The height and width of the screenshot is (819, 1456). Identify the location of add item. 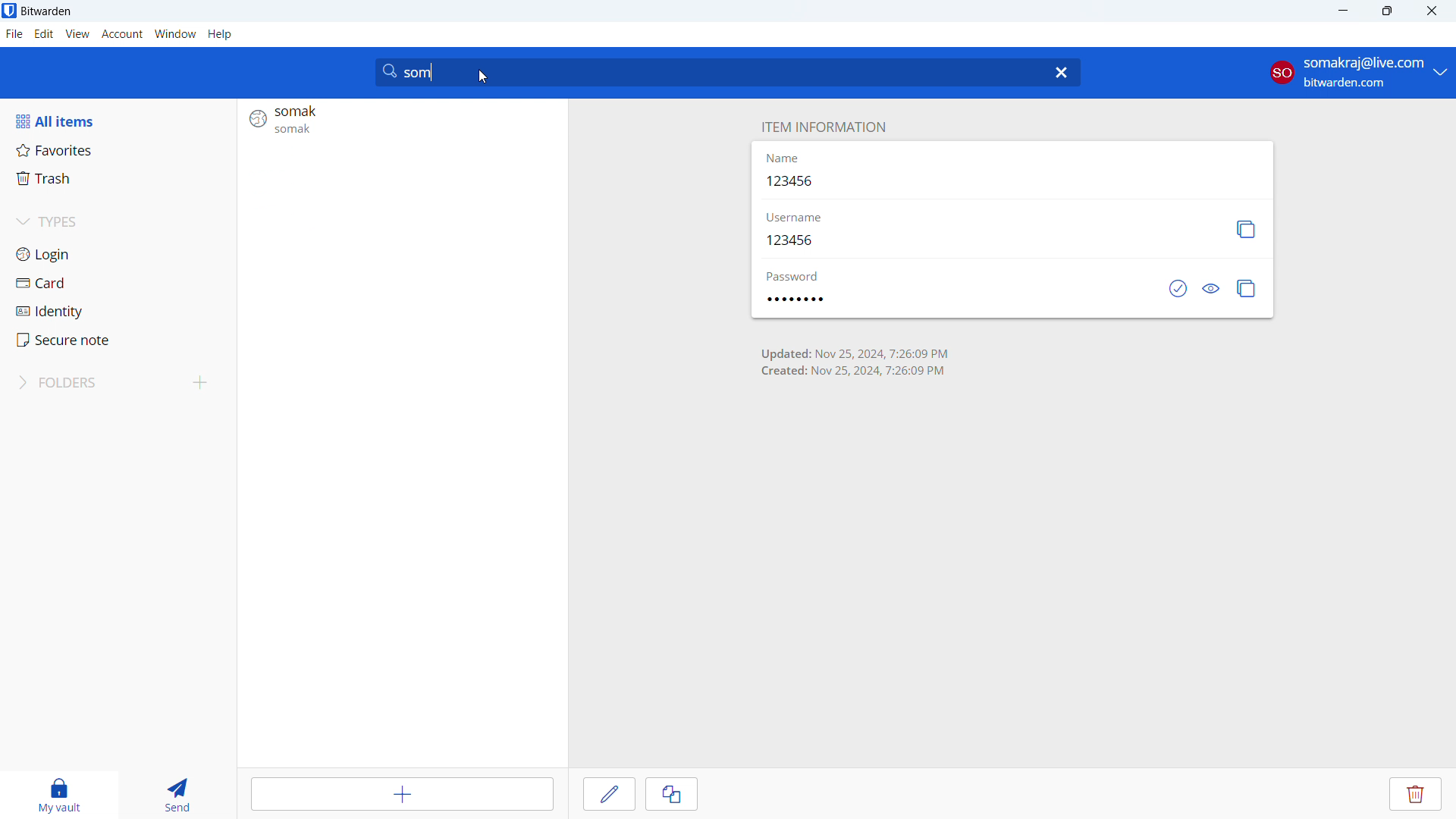
(402, 795).